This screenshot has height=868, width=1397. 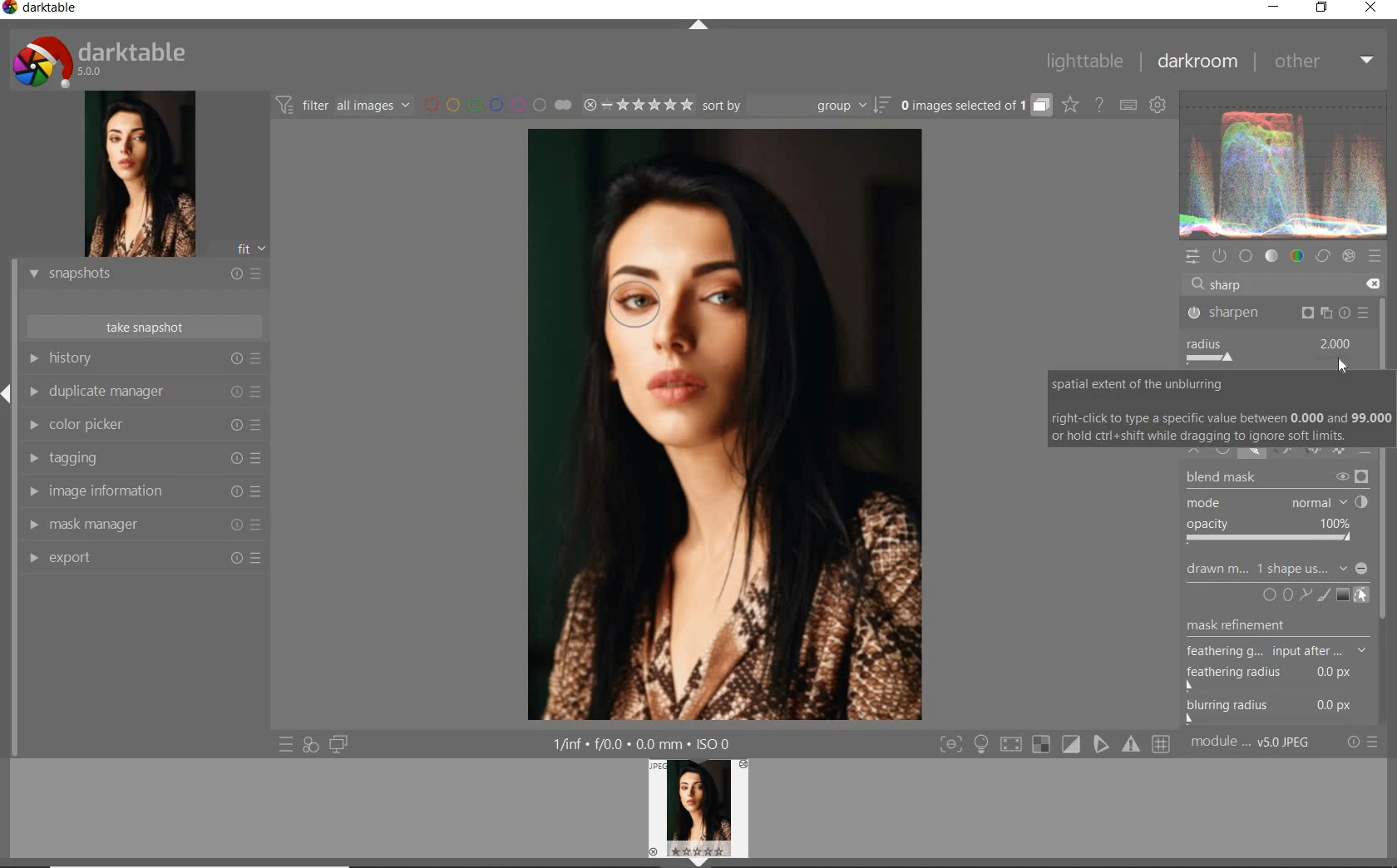 I want to click on show global preferences, so click(x=1157, y=101).